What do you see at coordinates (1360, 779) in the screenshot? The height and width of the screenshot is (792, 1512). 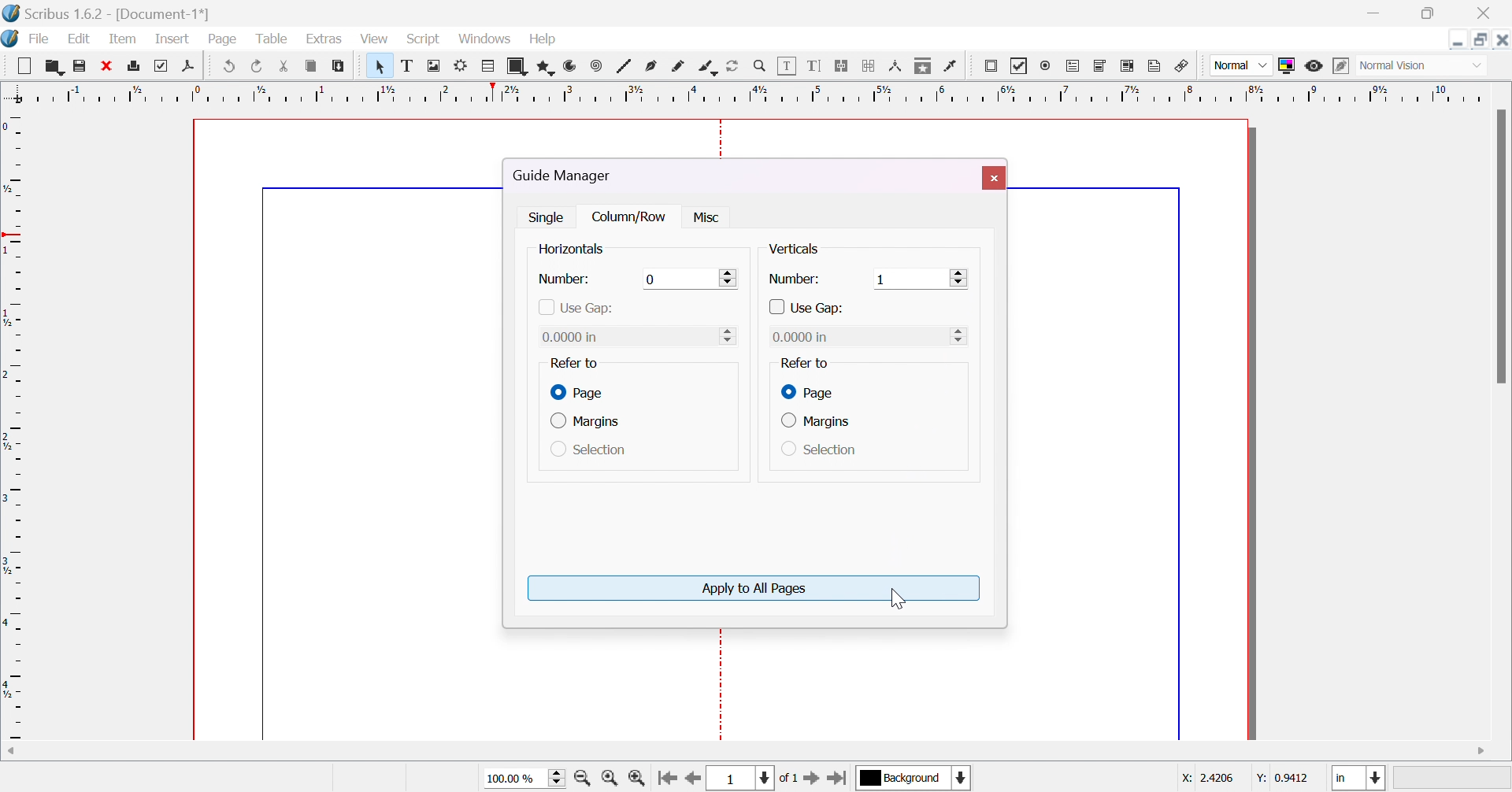 I see `select current unit` at bounding box center [1360, 779].